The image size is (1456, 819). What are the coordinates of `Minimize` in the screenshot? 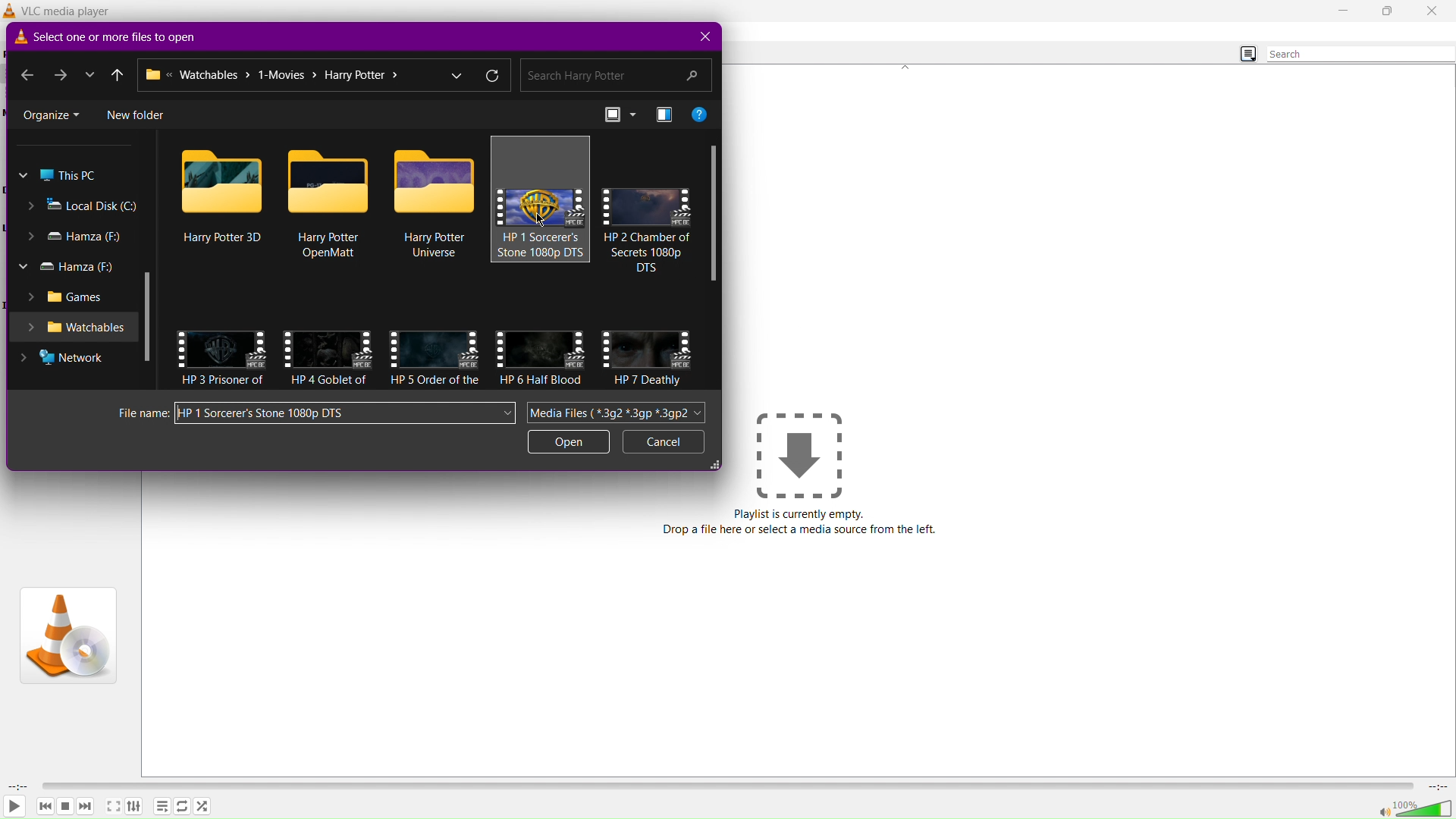 It's located at (1340, 11).